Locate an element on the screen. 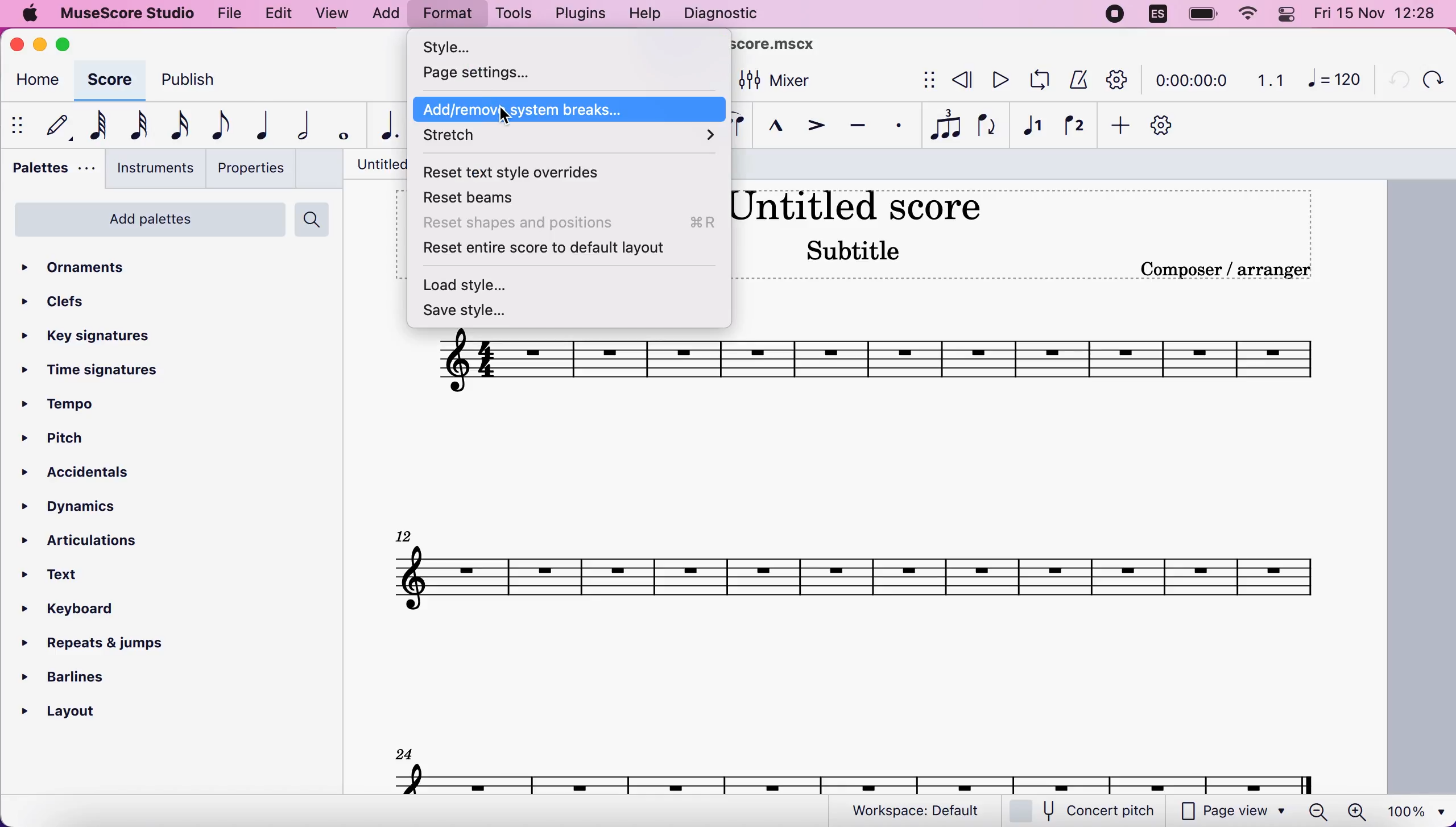 The image size is (1456, 827). redo is located at coordinates (1432, 79).